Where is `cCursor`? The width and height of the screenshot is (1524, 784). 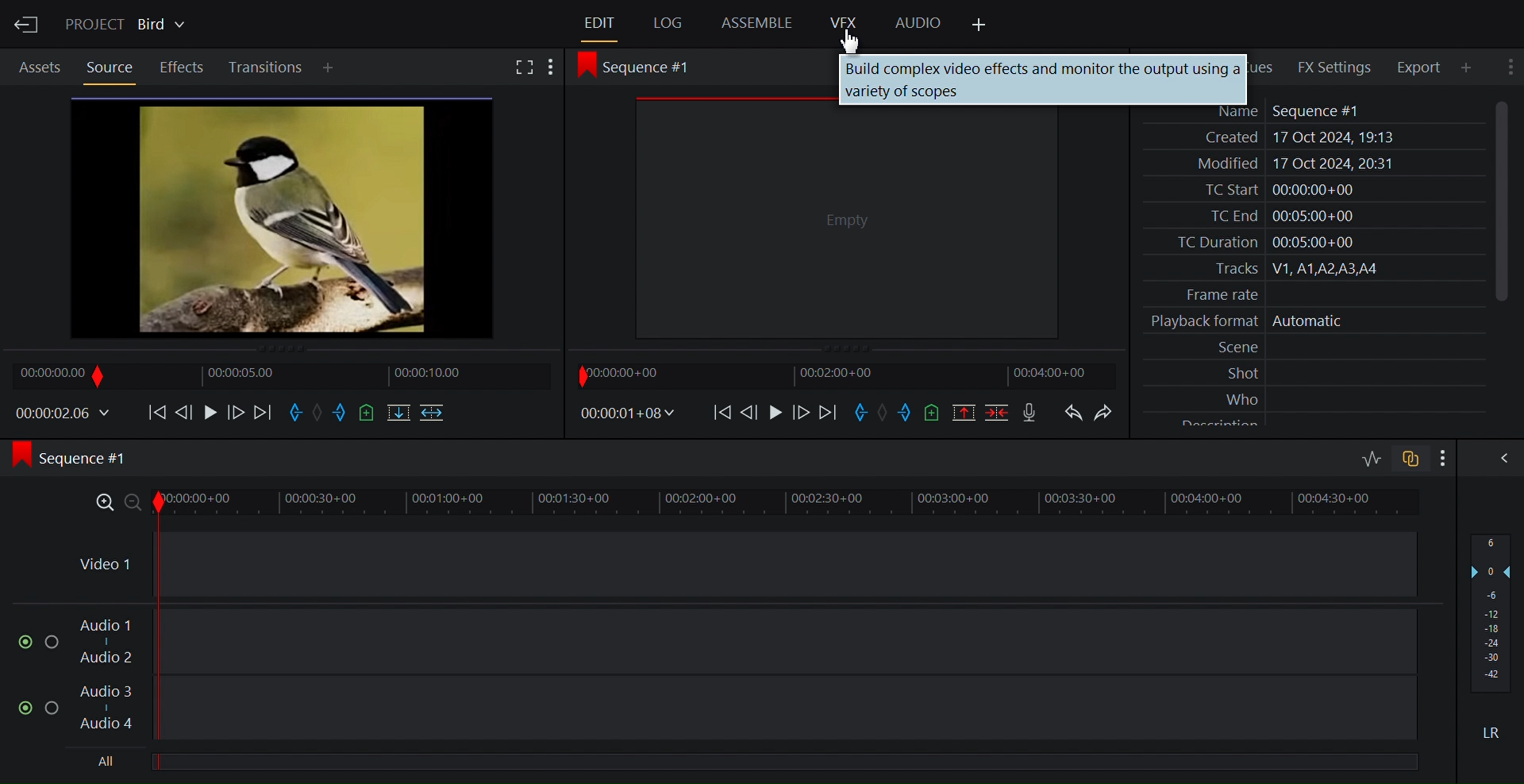
cCursor is located at coordinates (850, 41).